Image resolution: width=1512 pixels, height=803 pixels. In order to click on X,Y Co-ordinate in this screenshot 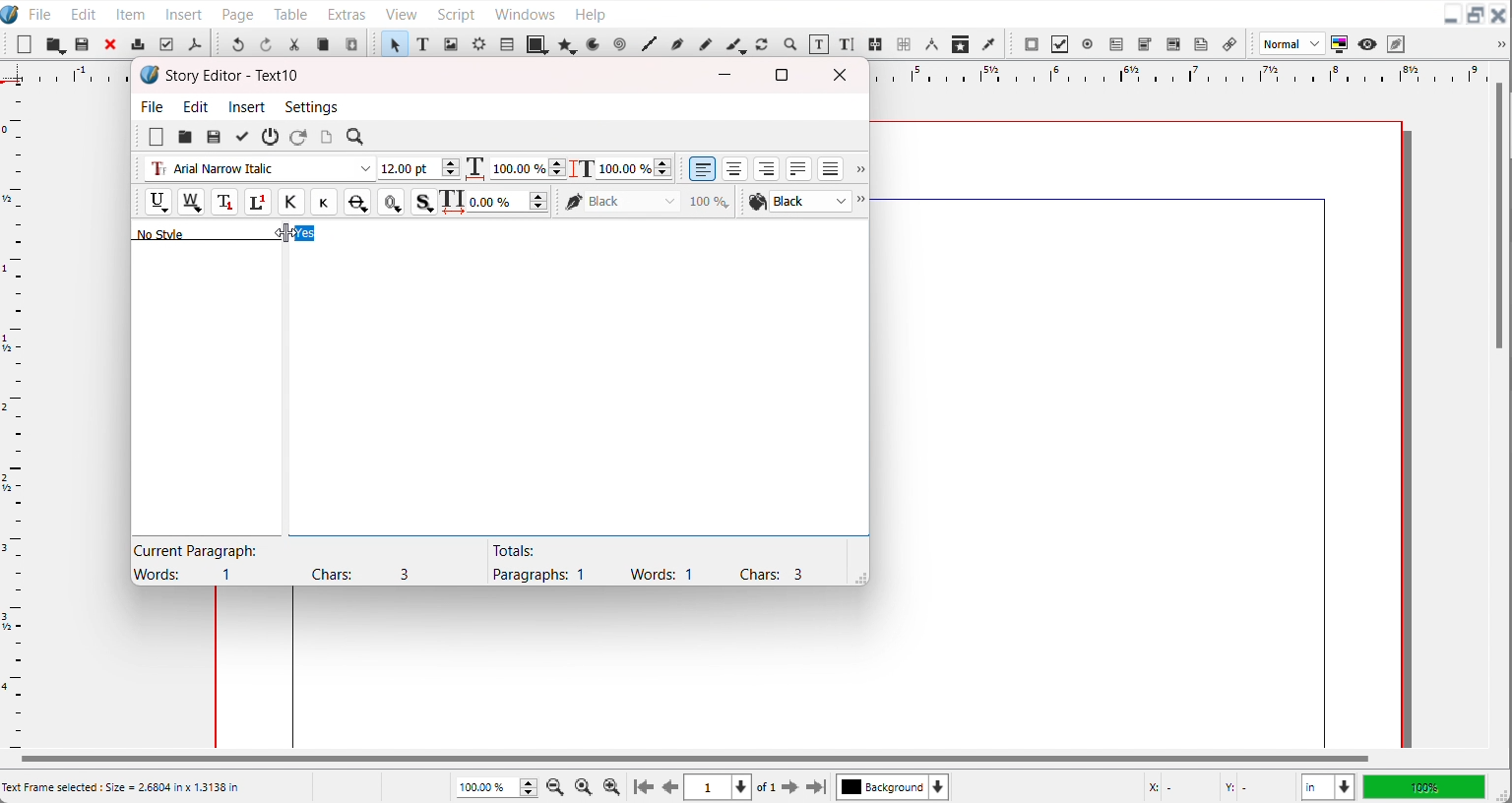, I will do `click(1216, 786)`.